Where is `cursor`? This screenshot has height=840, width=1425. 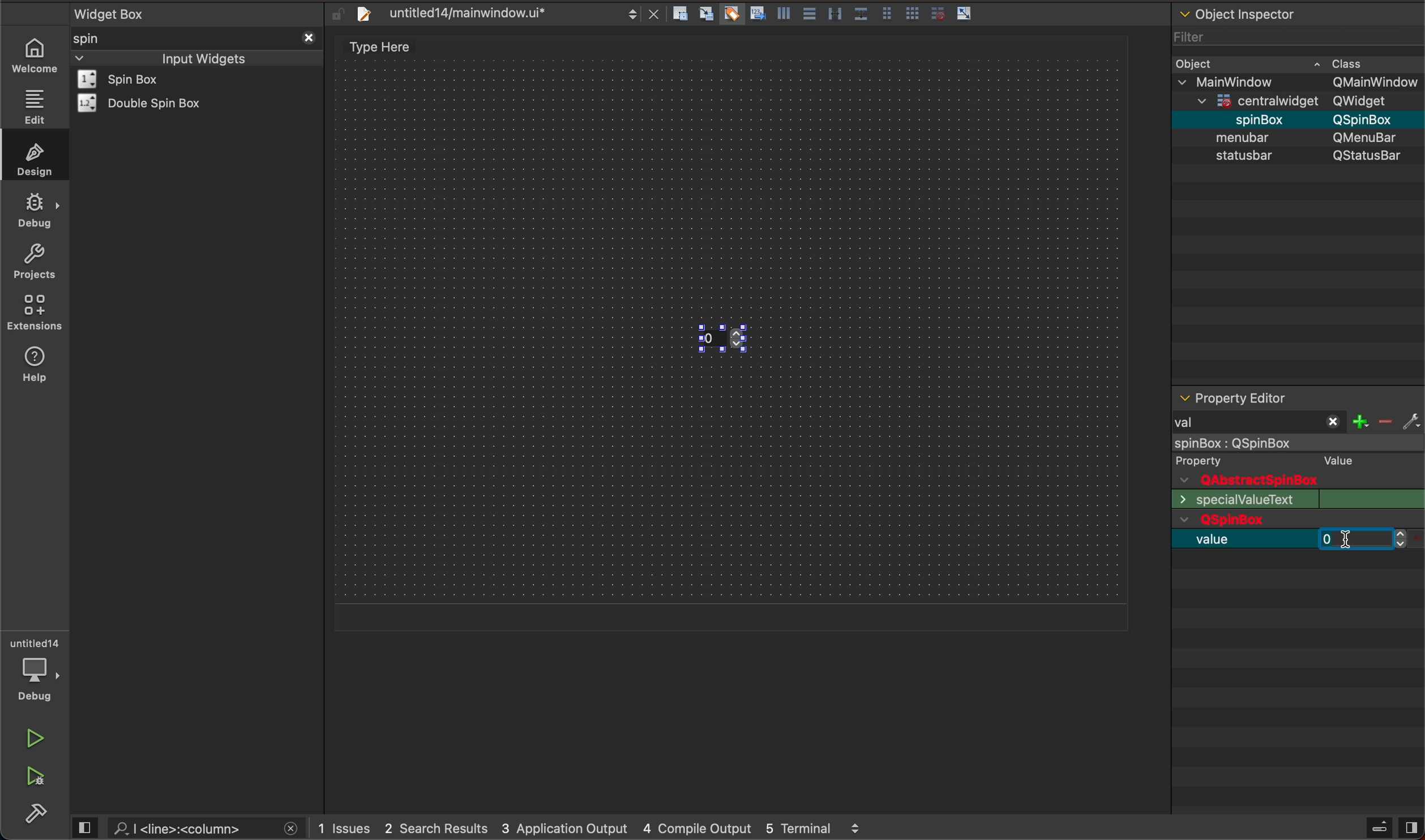
cursor is located at coordinates (1351, 548).